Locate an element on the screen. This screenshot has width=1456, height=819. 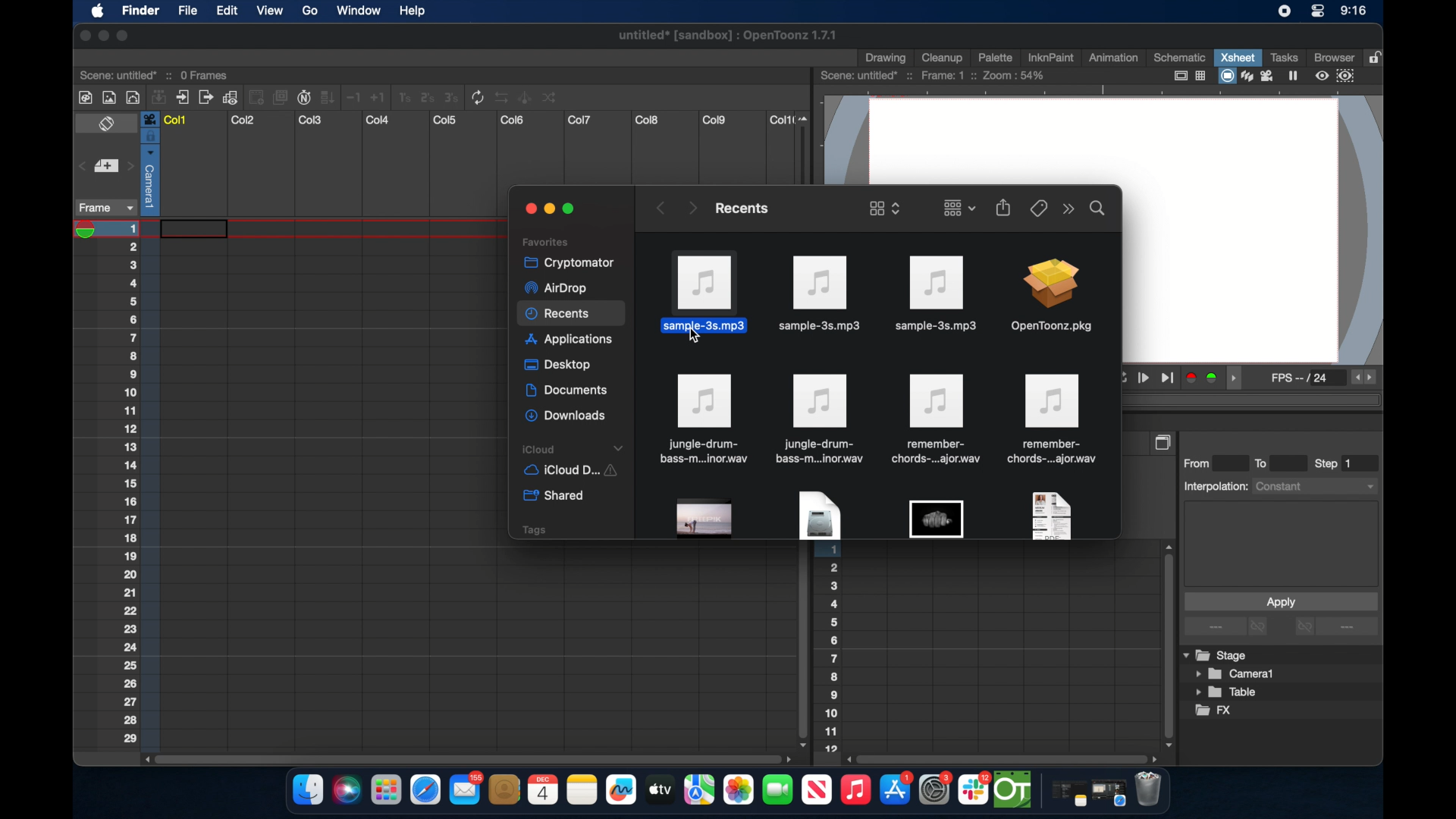
fps is located at coordinates (1365, 378).